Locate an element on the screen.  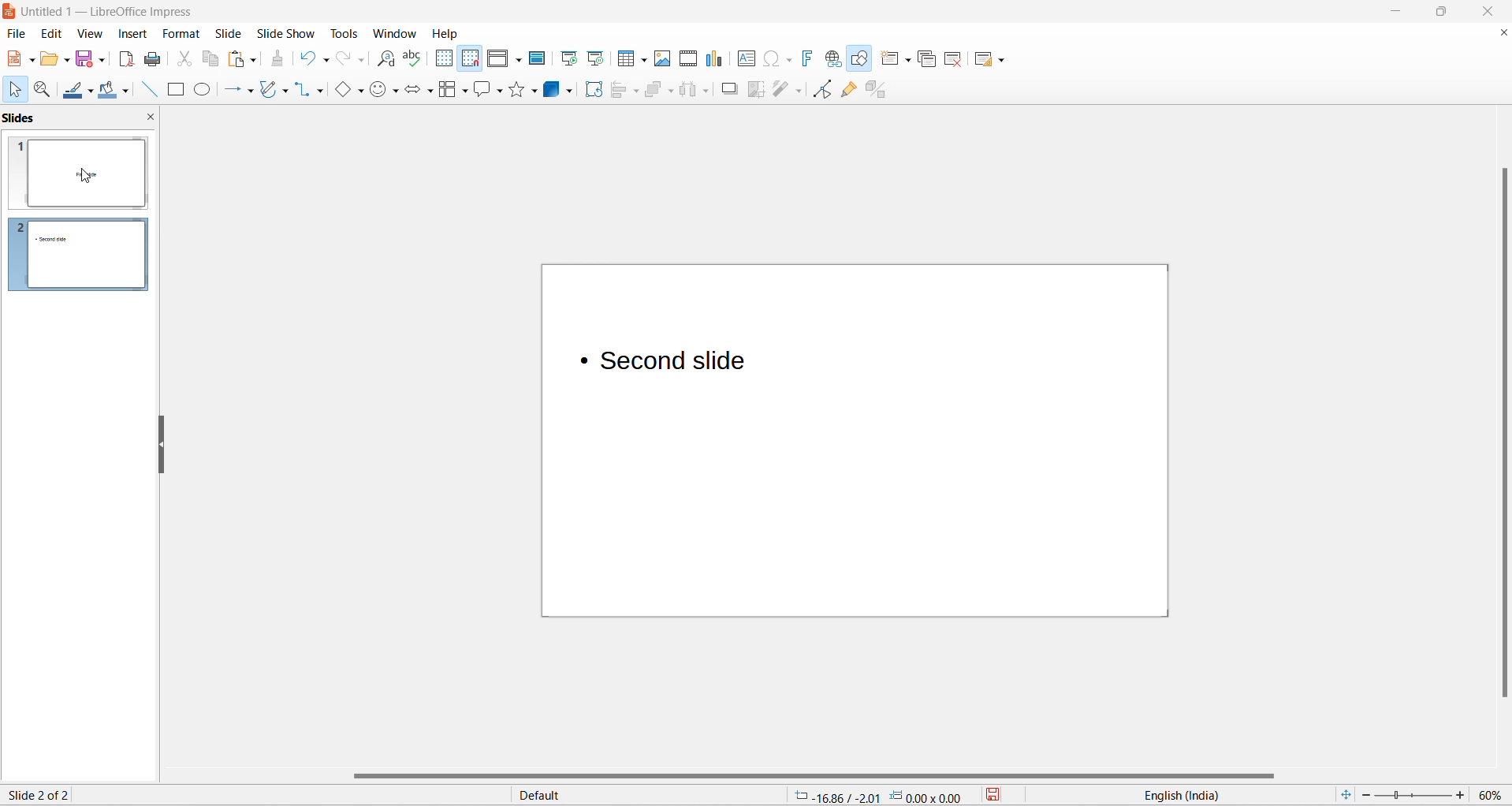
display views options is located at coordinates (520, 60).